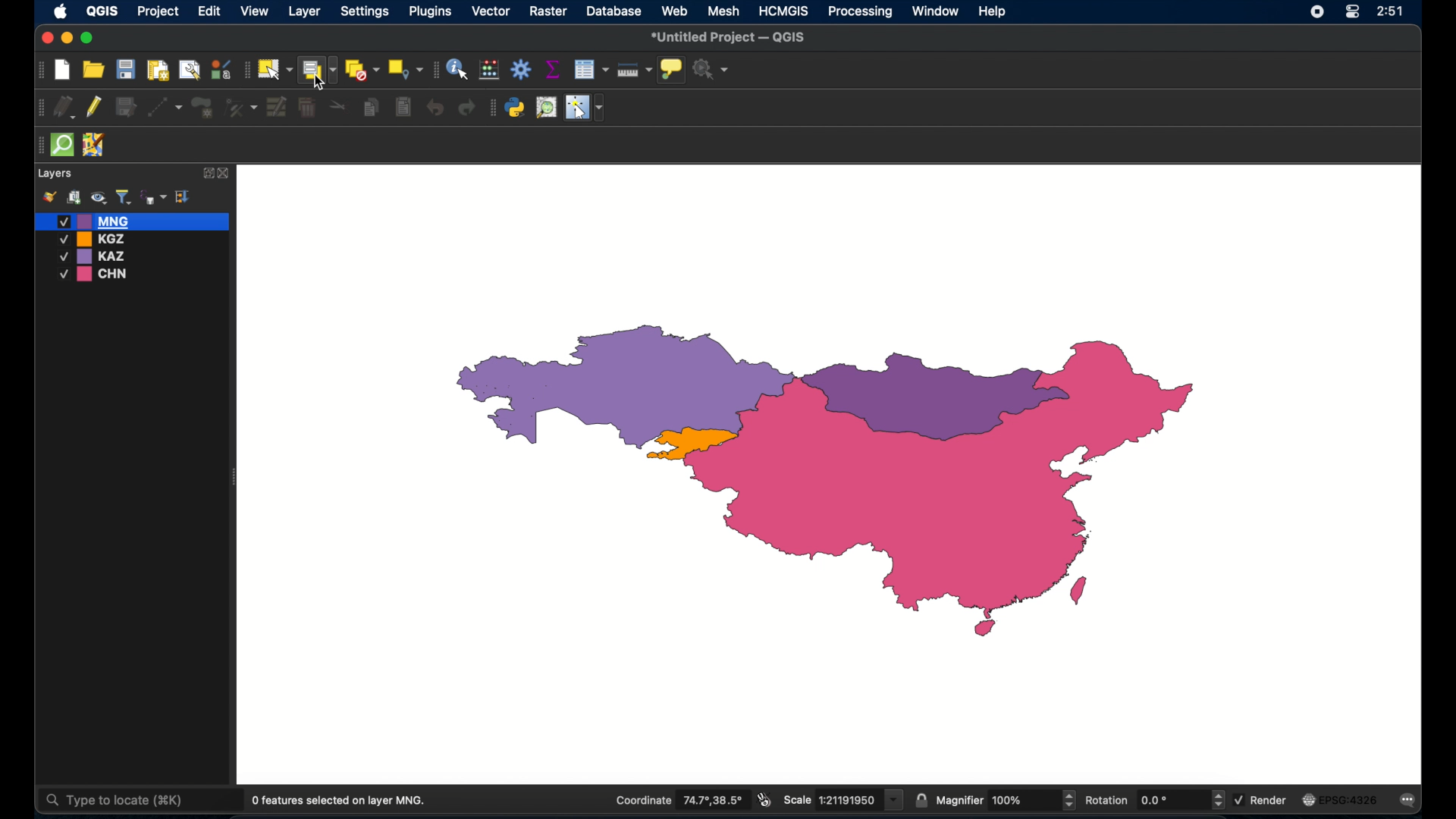 This screenshot has width=1456, height=819. What do you see at coordinates (712, 69) in the screenshot?
I see `no action selected ` at bounding box center [712, 69].